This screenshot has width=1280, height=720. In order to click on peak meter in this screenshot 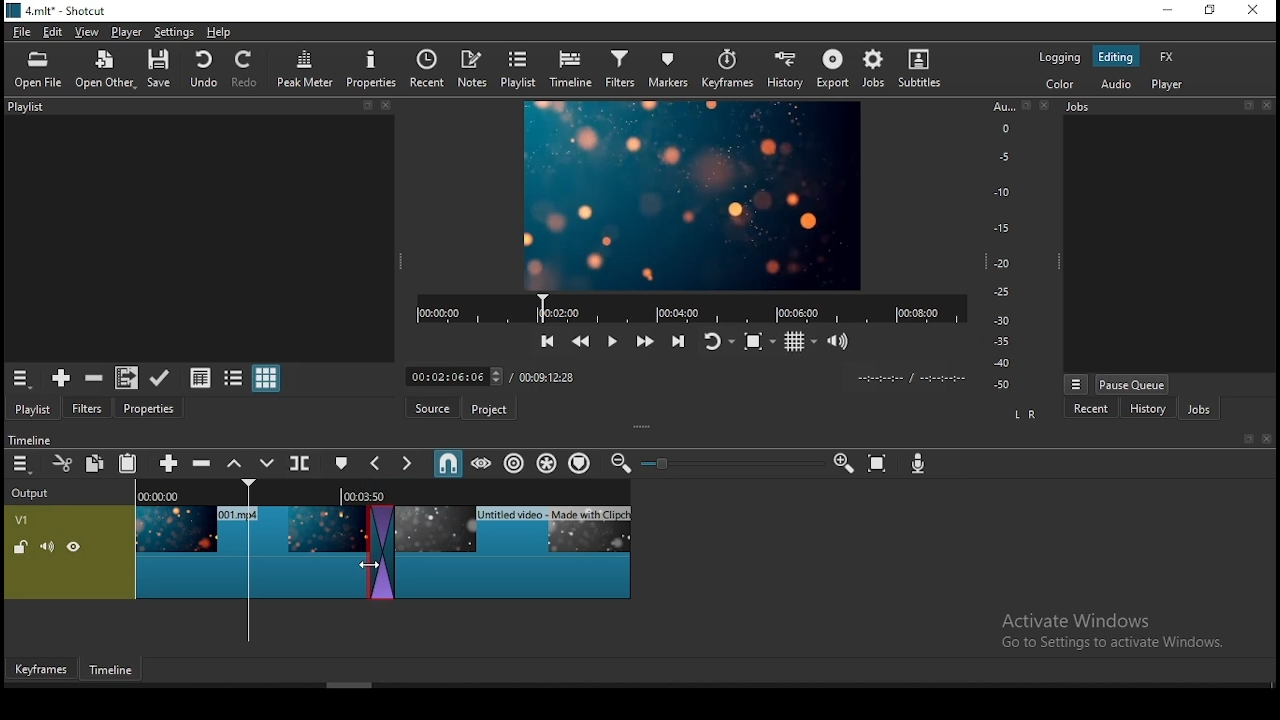, I will do `click(307, 68)`.